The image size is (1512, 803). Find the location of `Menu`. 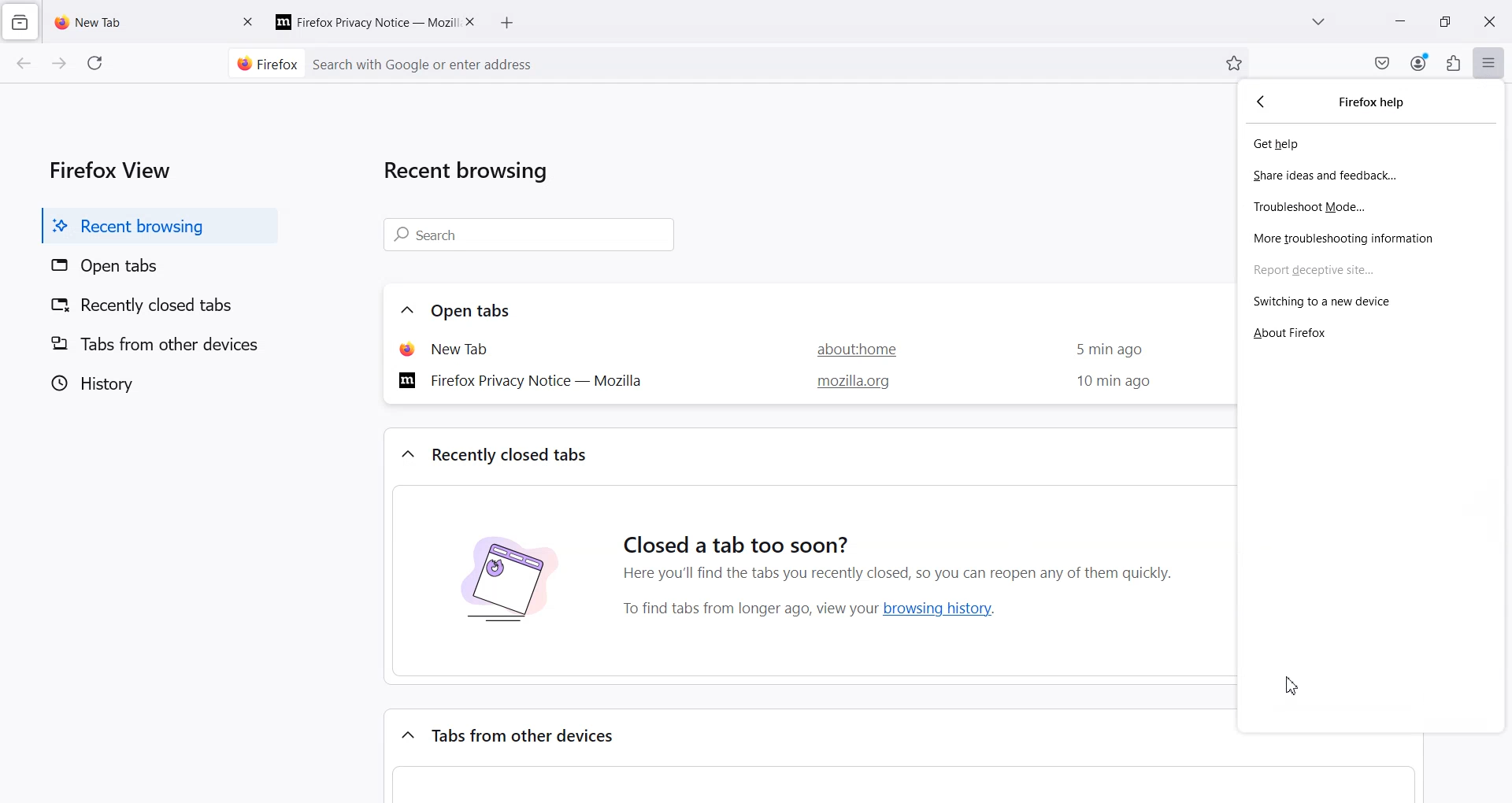

Menu is located at coordinates (1489, 62).